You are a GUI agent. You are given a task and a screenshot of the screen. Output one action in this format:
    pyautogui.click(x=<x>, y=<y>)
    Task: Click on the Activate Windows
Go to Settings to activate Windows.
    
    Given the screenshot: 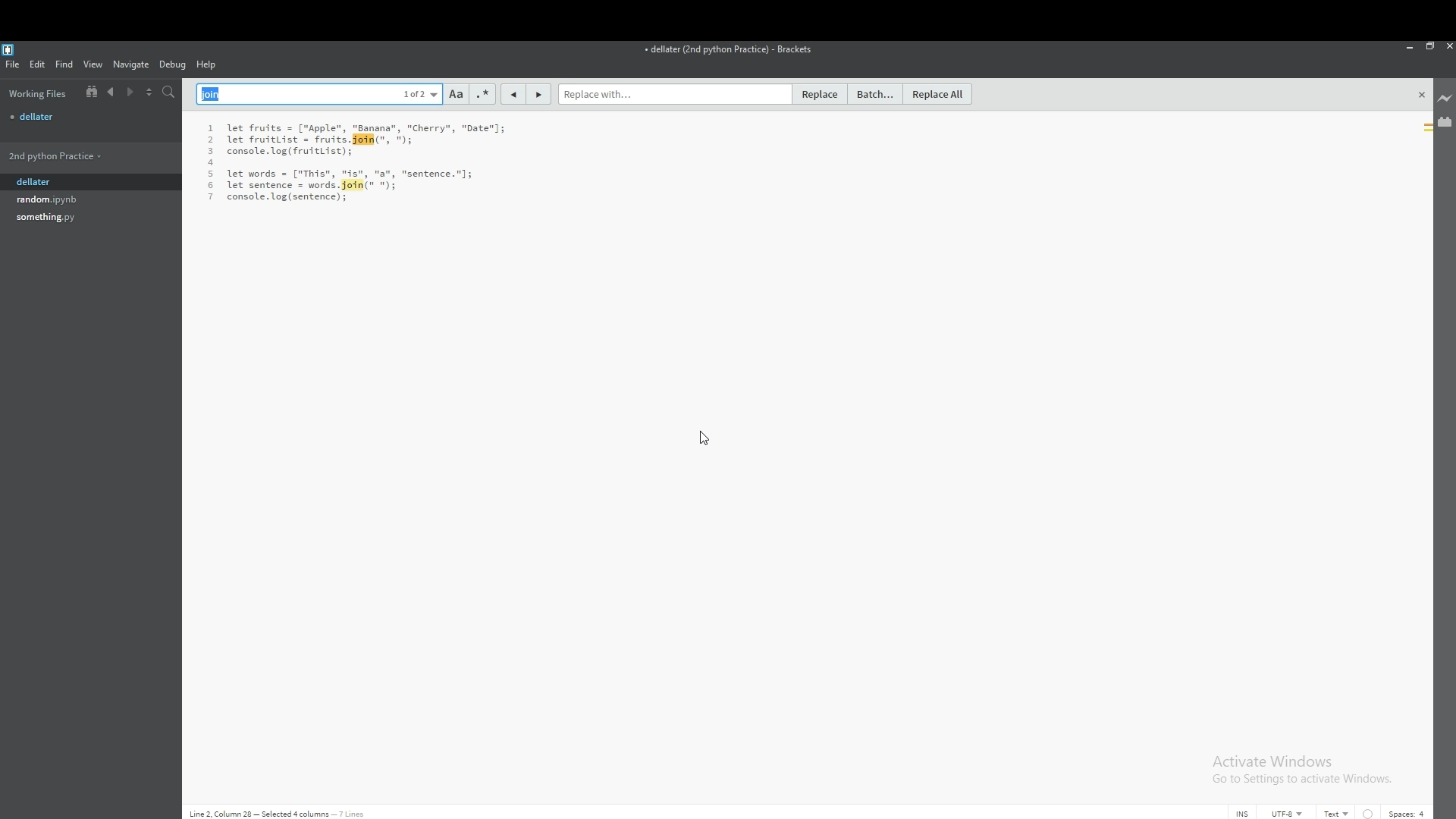 What is the action you would take?
    pyautogui.click(x=1304, y=770)
    